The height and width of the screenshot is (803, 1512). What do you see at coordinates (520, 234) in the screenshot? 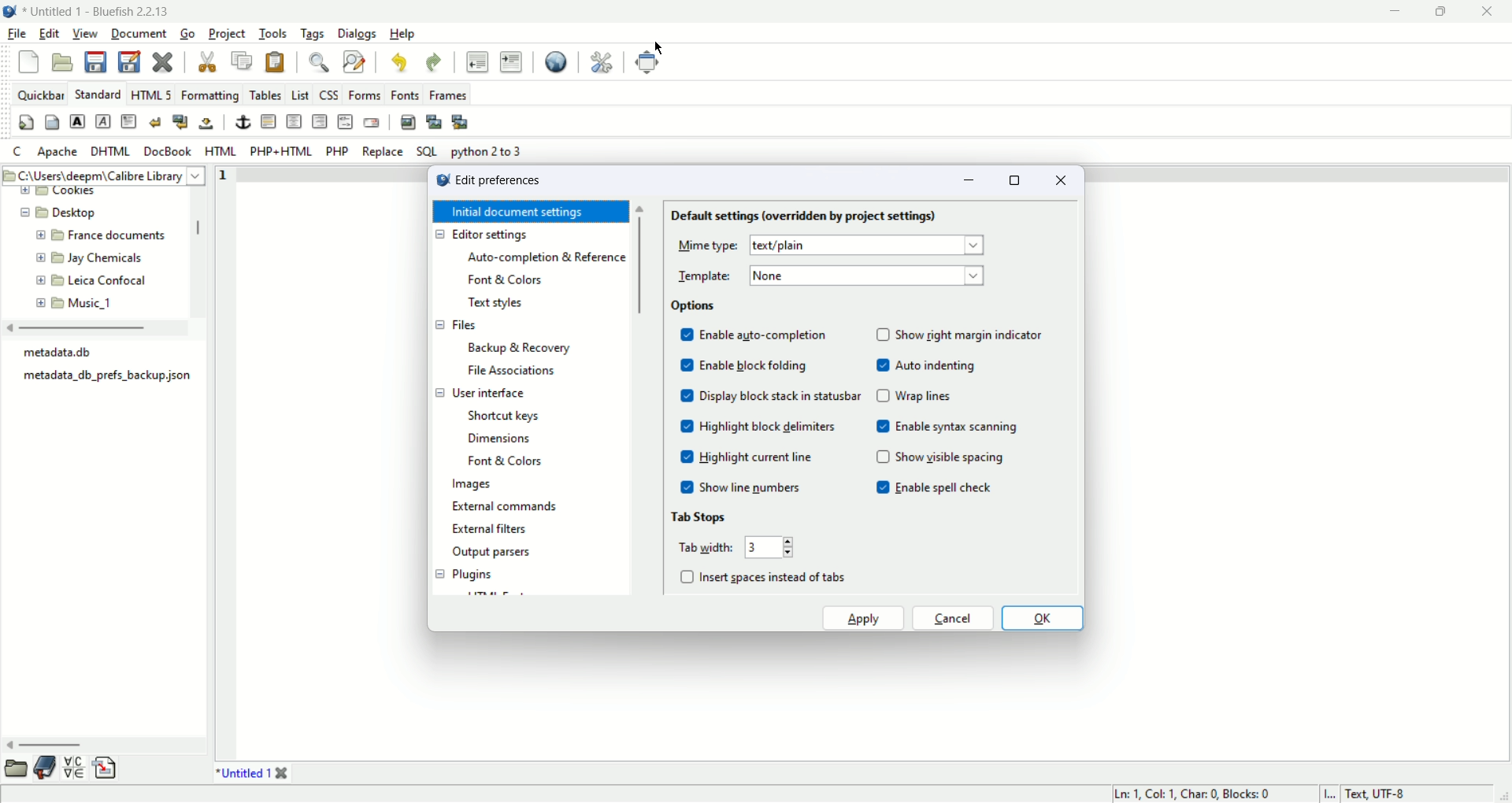
I see `Editor settings` at bounding box center [520, 234].